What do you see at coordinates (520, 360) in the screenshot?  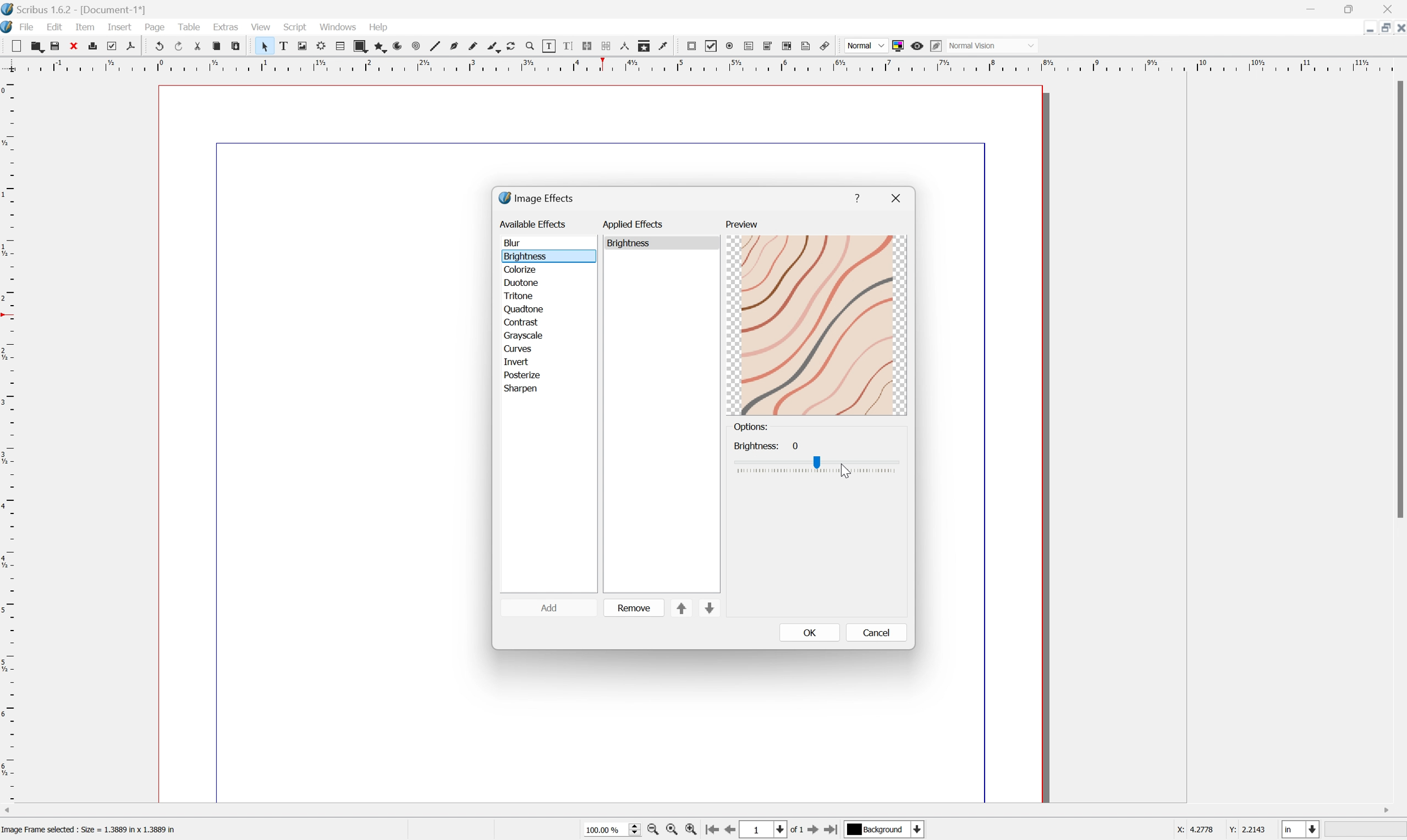 I see `invert` at bounding box center [520, 360].